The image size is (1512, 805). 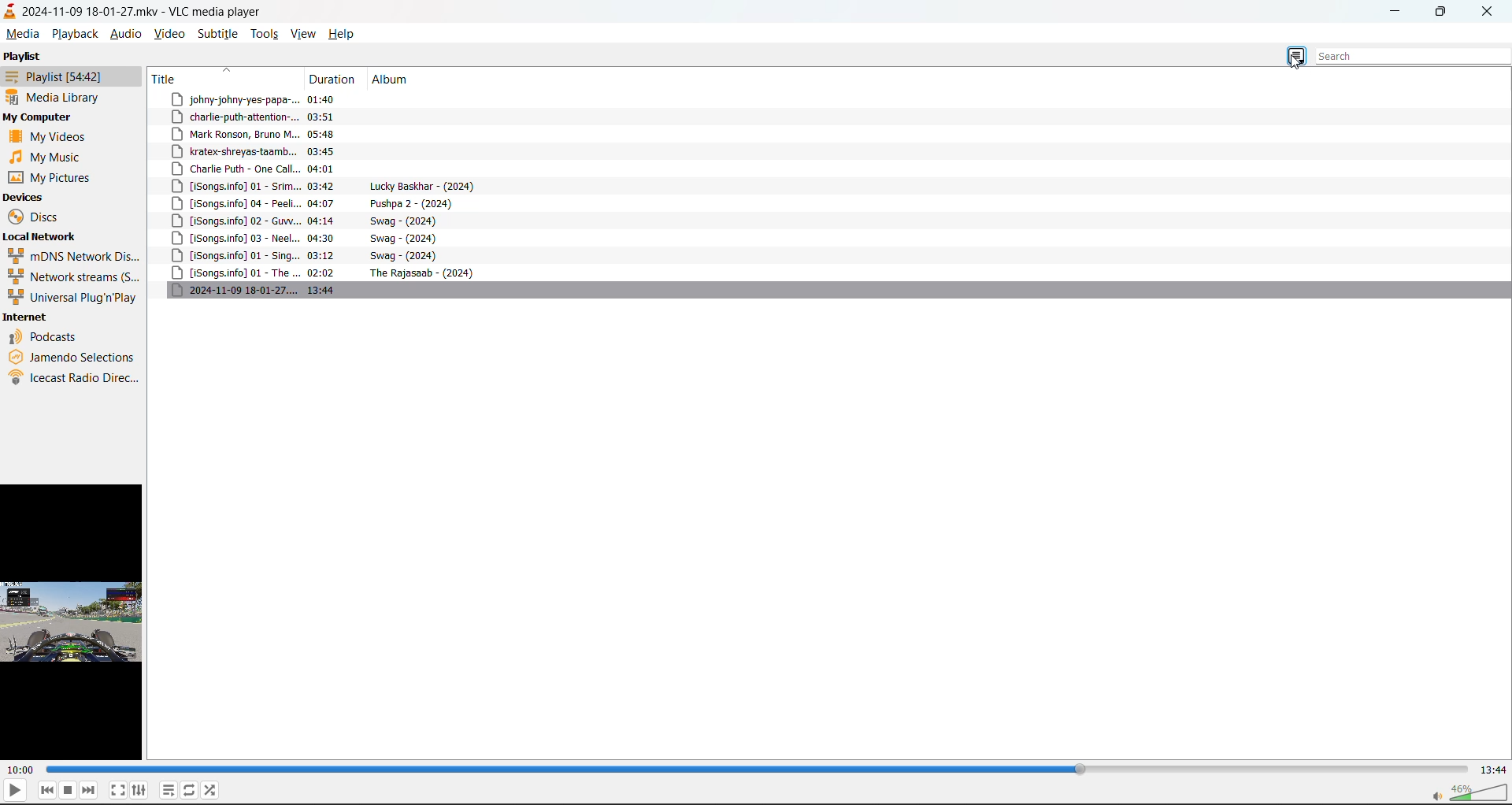 What do you see at coordinates (335, 79) in the screenshot?
I see `duration` at bounding box center [335, 79].